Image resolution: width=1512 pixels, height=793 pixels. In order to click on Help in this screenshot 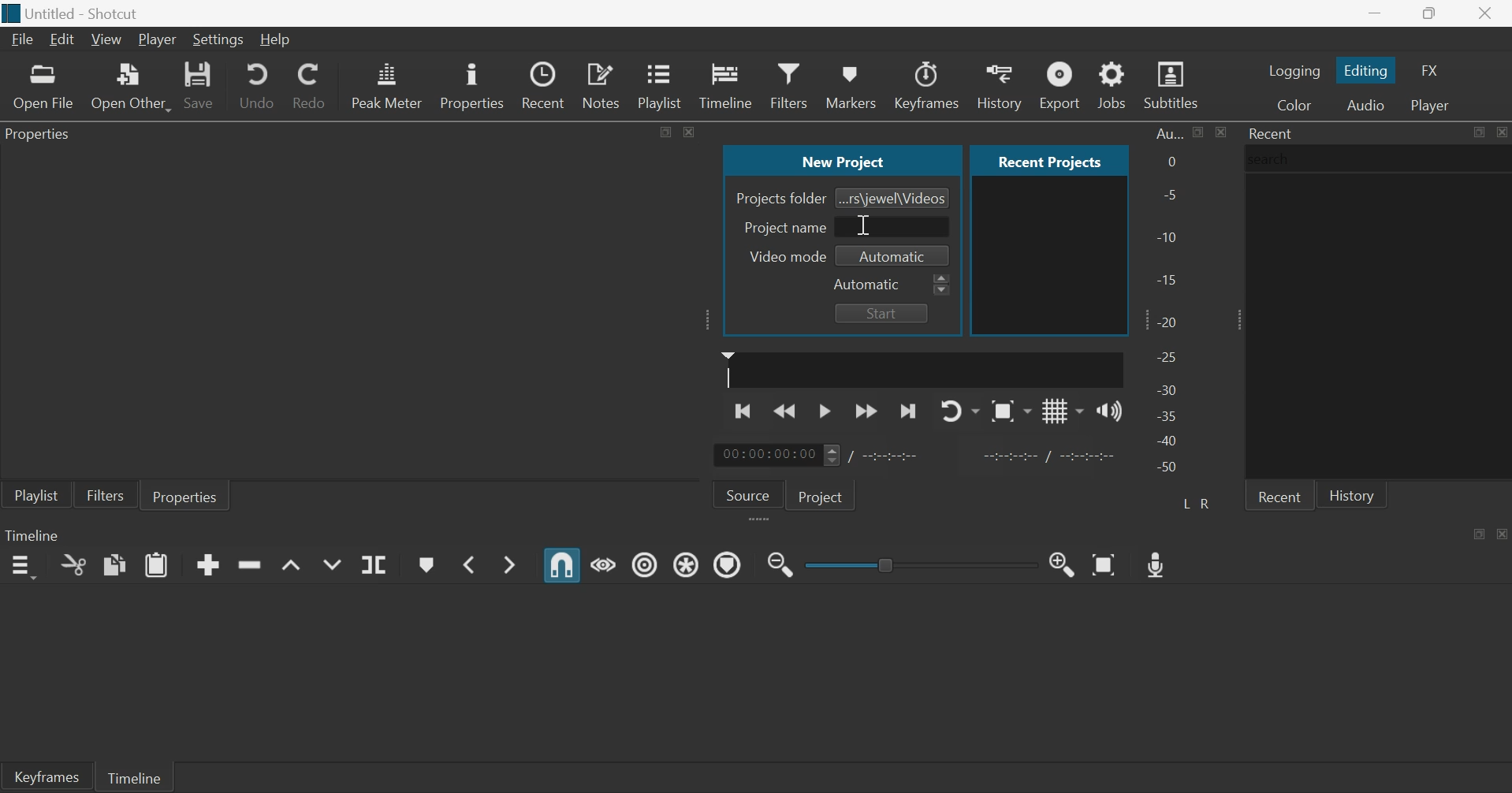, I will do `click(274, 39)`.